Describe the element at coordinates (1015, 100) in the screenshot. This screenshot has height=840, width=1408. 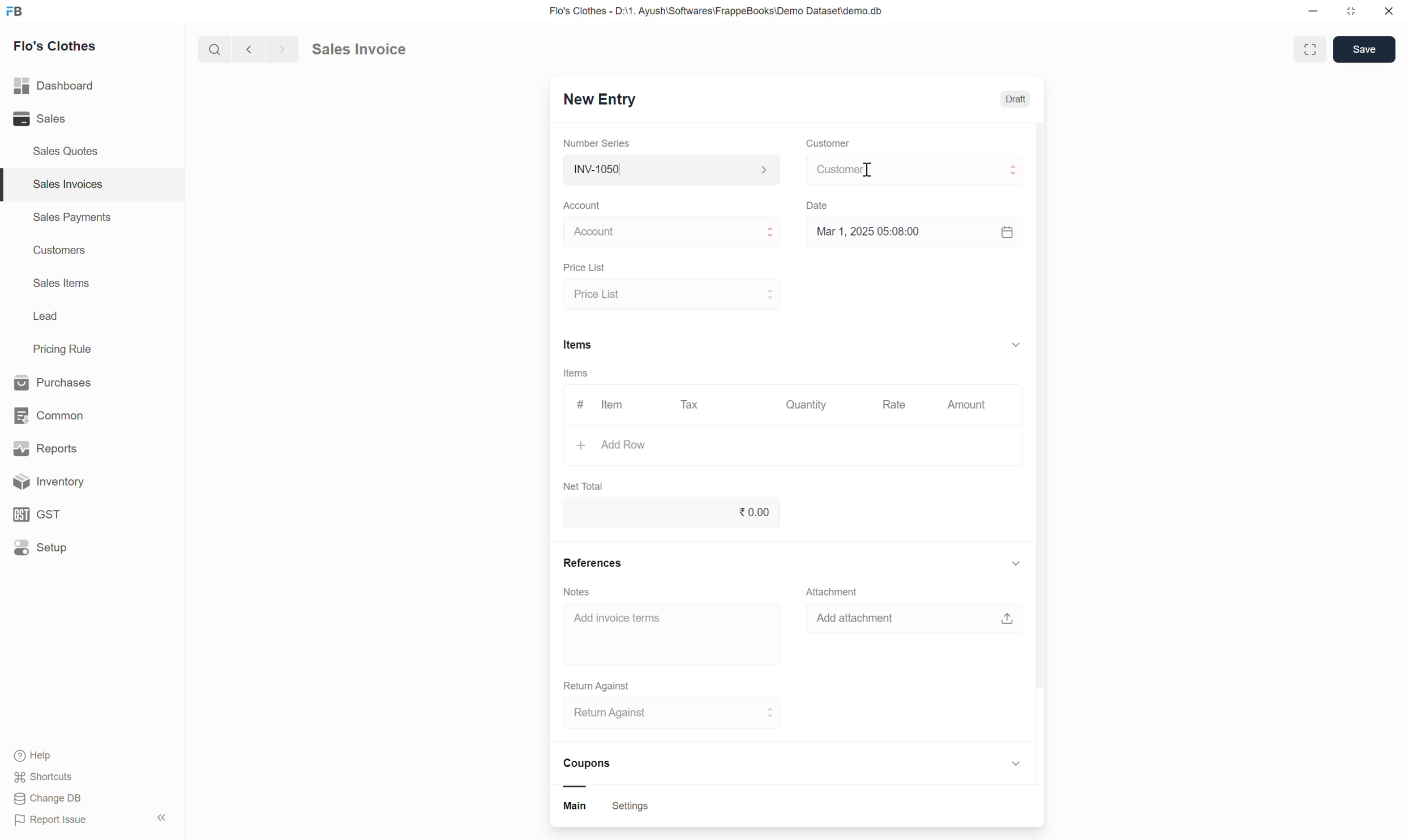
I see `Draft` at that location.